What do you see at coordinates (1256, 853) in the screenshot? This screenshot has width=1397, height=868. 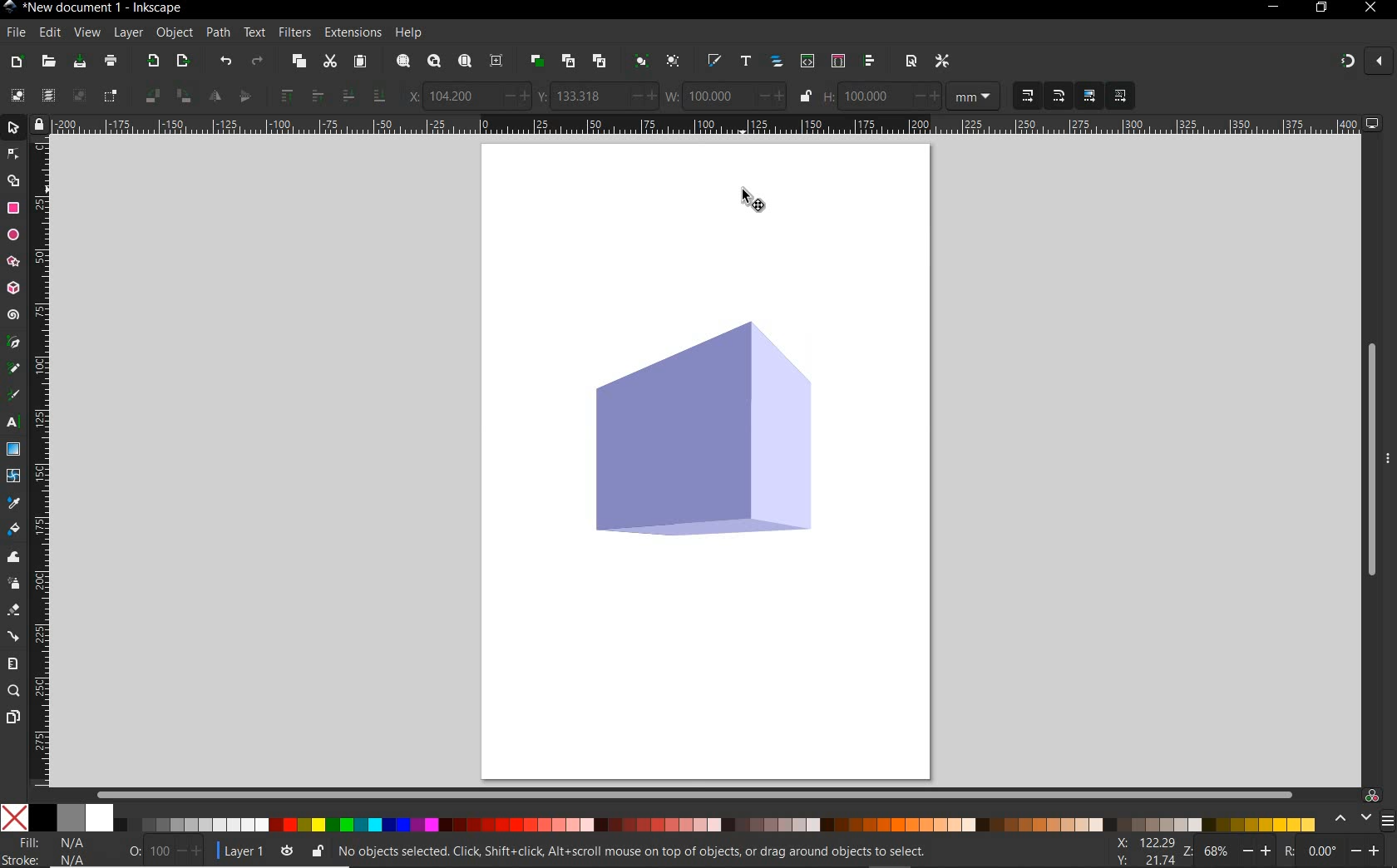 I see `increase/decrease` at bounding box center [1256, 853].